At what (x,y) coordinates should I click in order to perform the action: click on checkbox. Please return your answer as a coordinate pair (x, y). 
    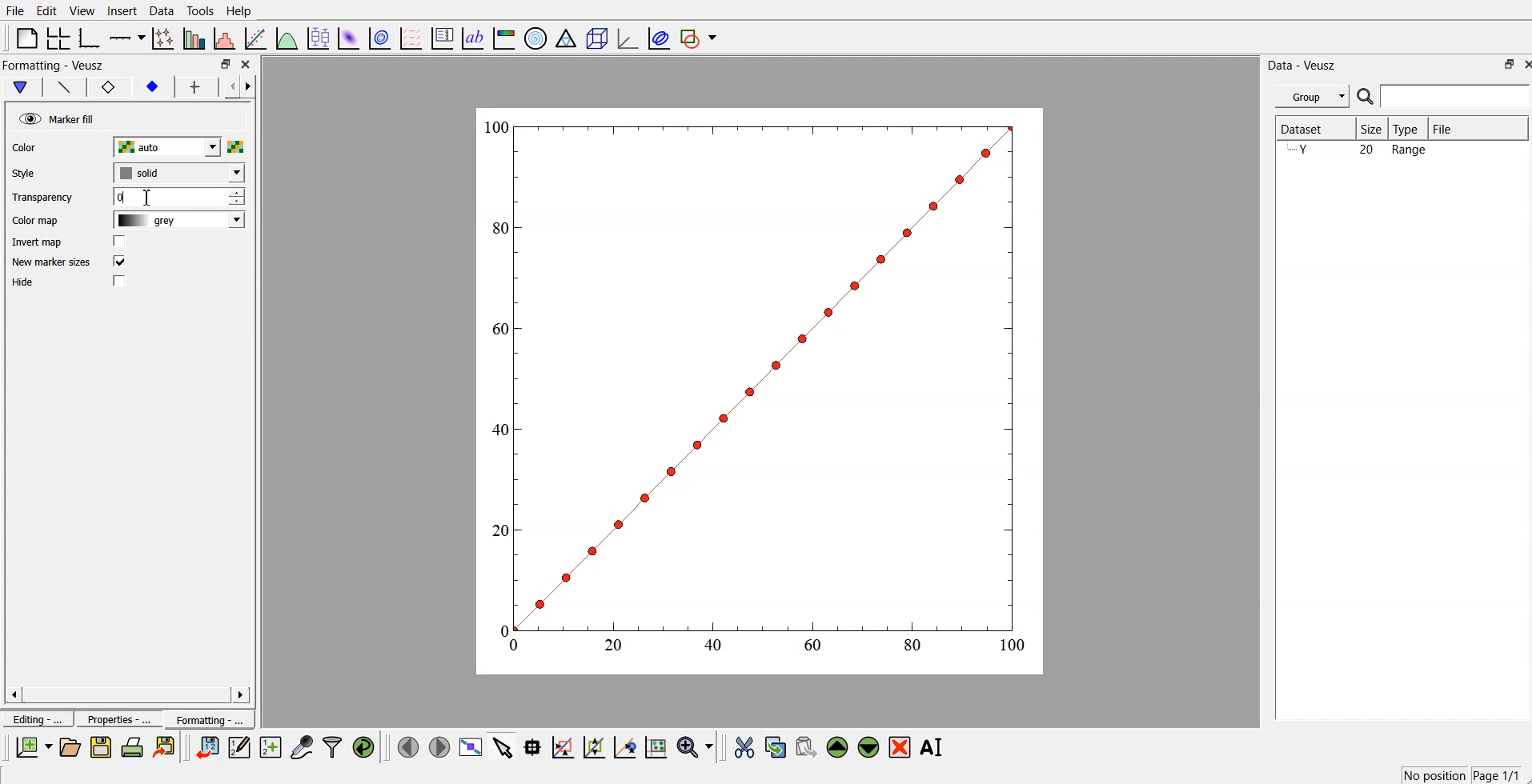
    Looking at the image, I should click on (122, 242).